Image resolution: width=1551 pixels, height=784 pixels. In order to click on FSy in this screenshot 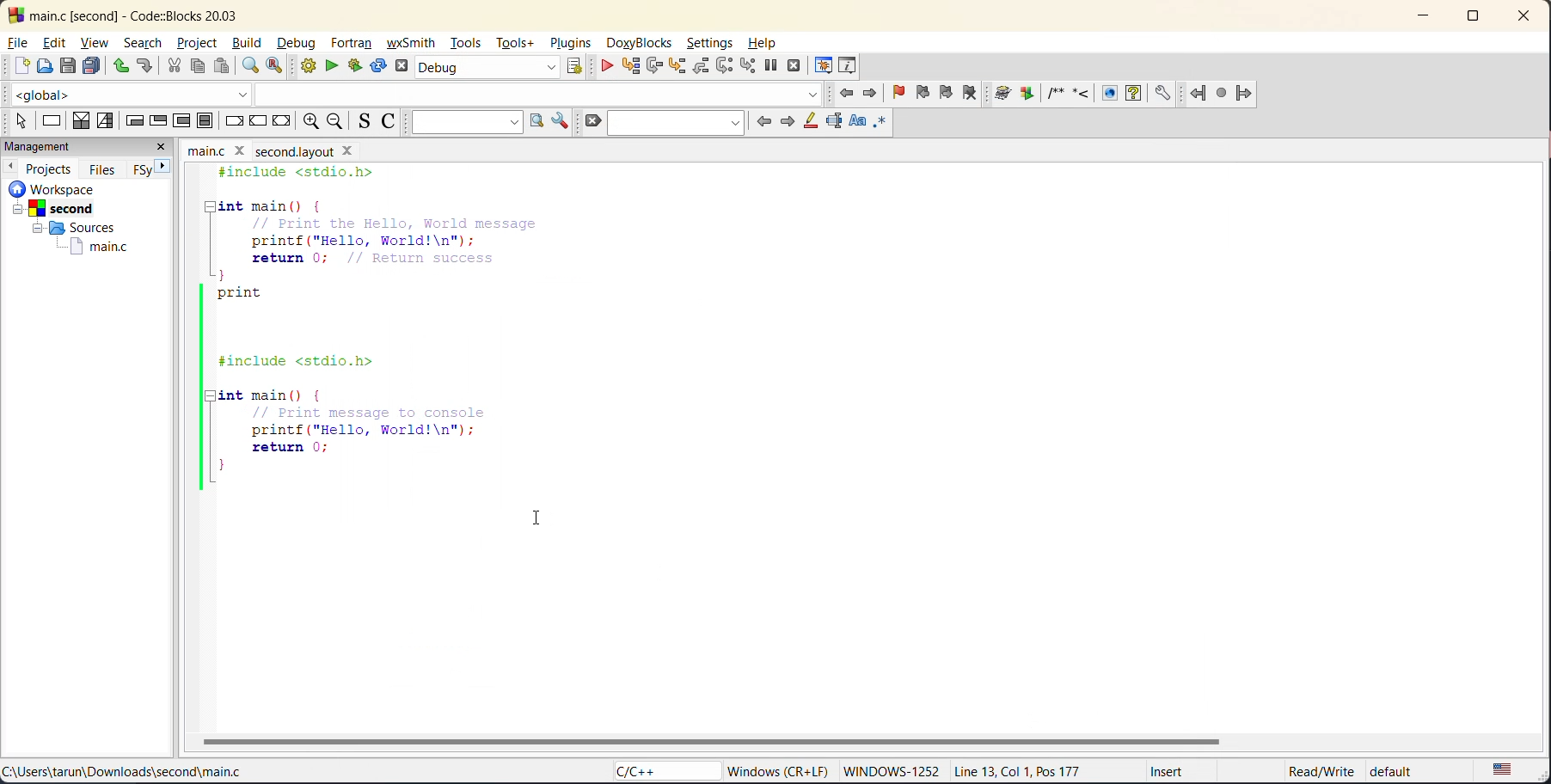, I will do `click(144, 168)`.